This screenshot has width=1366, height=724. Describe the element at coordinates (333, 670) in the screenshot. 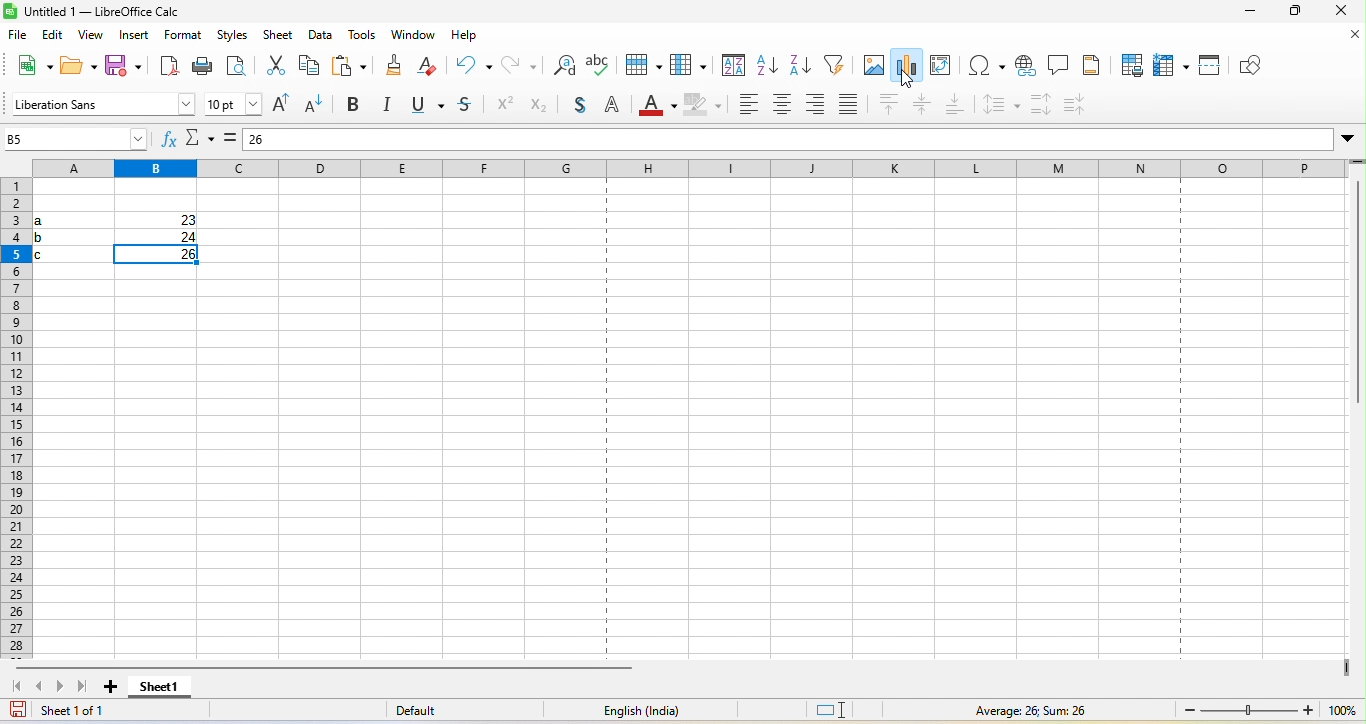

I see `horizontal scroll bar` at that location.